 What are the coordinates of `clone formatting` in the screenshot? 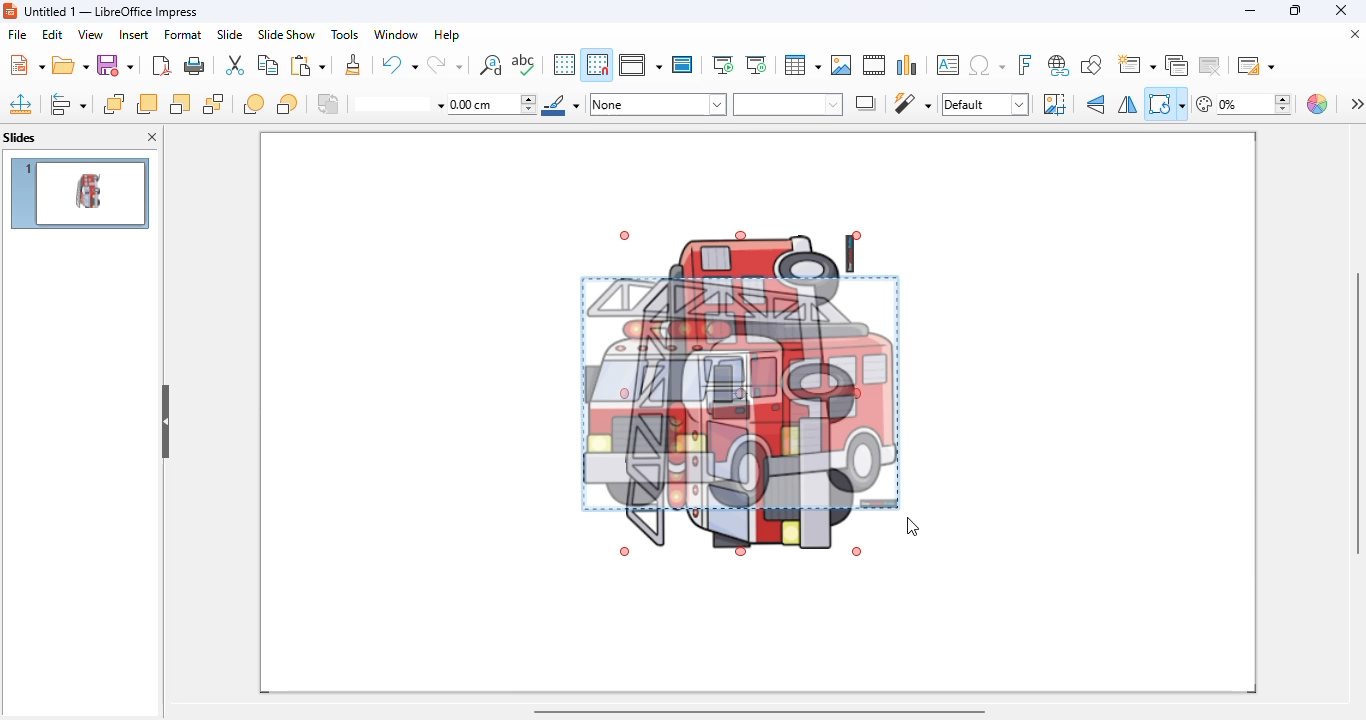 It's located at (353, 65).